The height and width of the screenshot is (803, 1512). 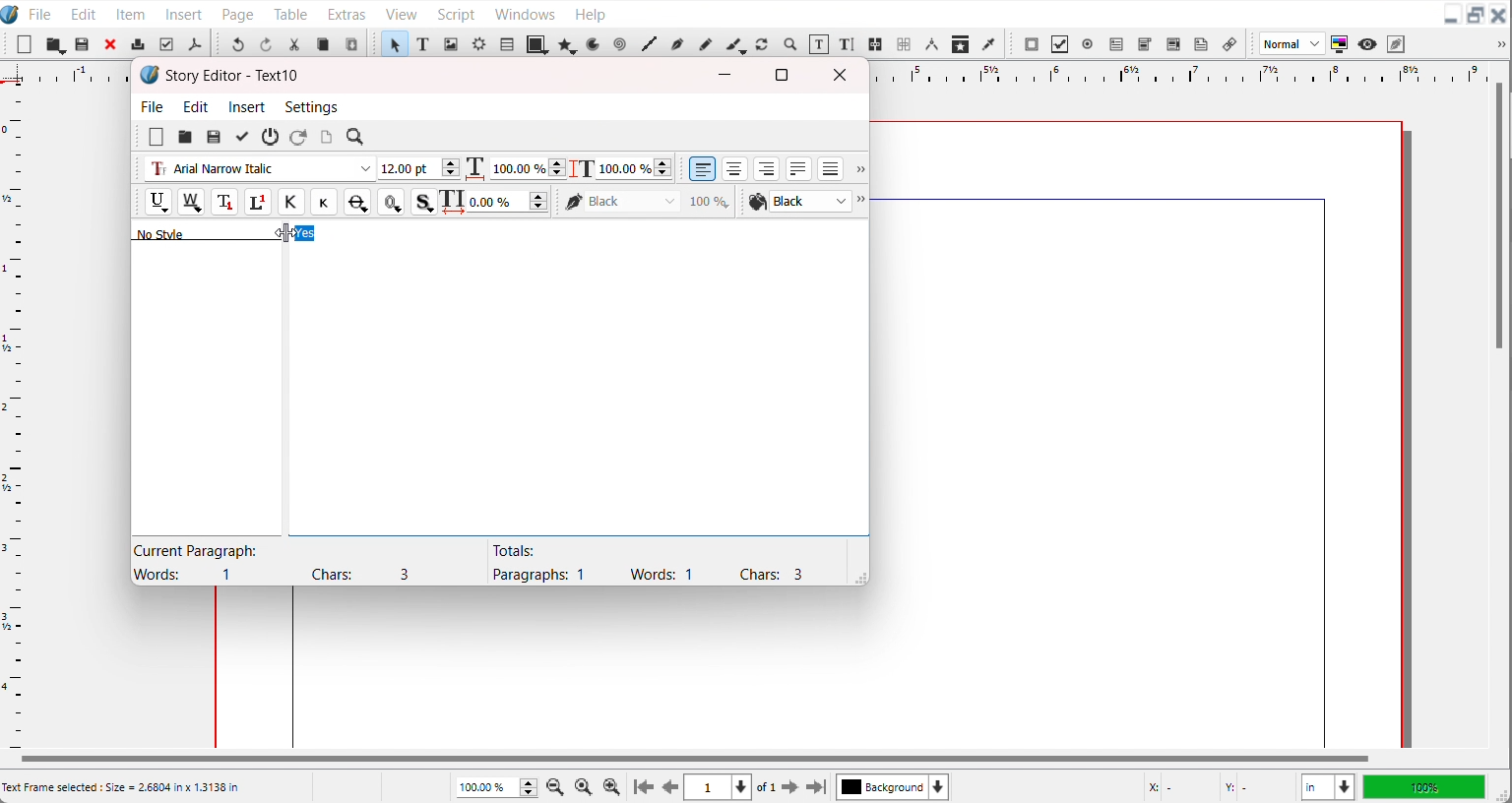 I want to click on Edit in preview mode, so click(x=1397, y=43).